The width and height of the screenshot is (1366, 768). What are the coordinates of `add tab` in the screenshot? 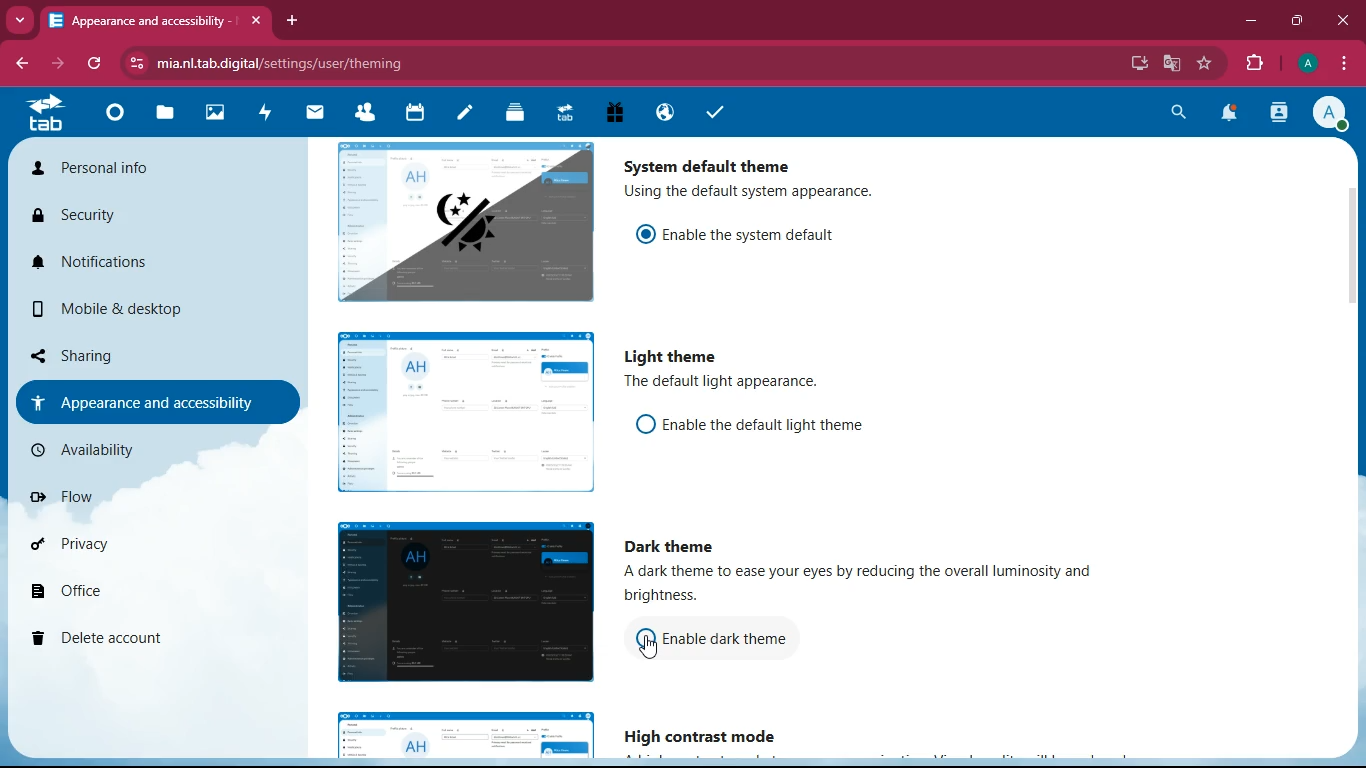 It's located at (294, 21).